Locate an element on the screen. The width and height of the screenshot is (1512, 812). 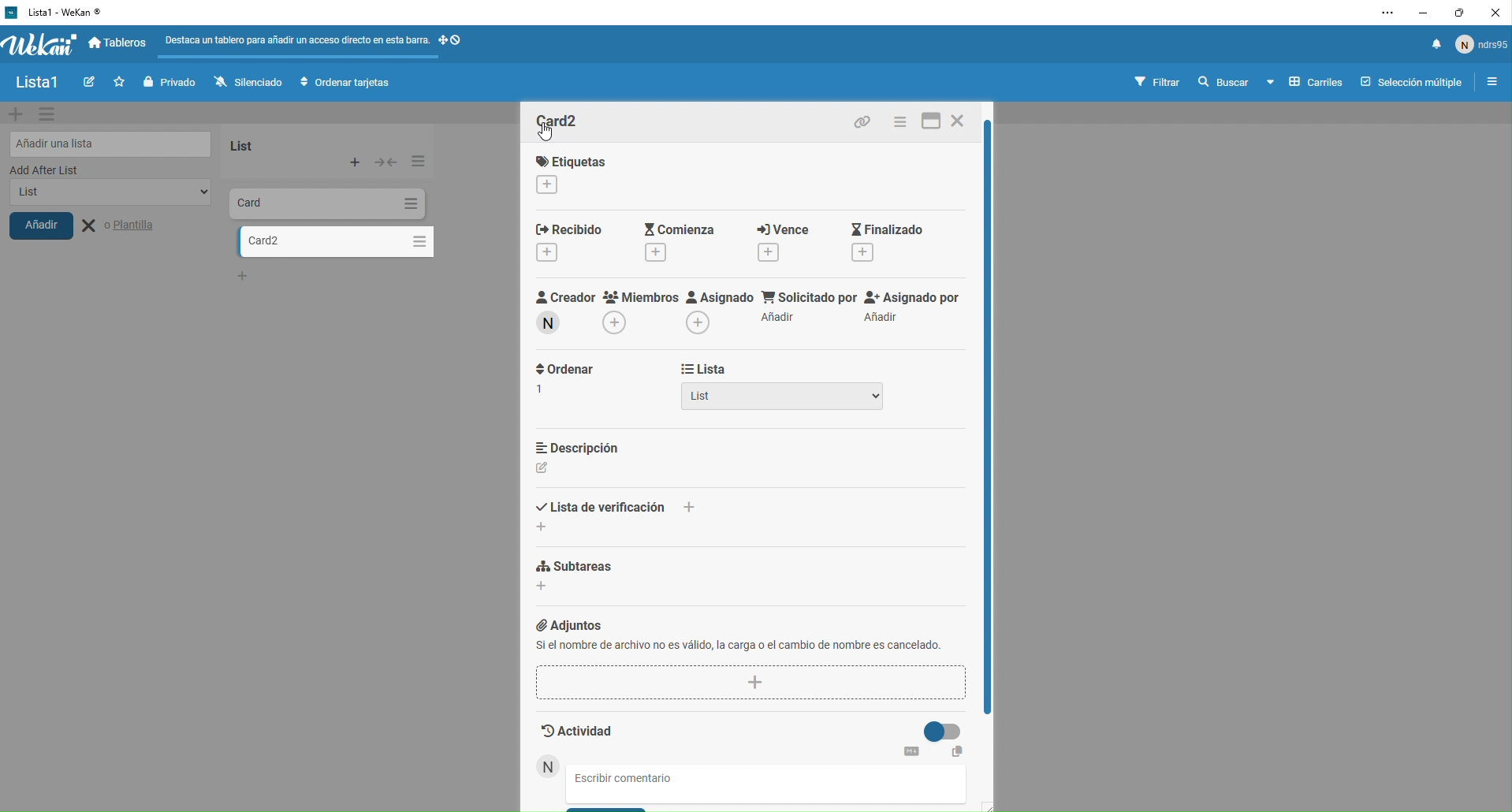
minimise is located at coordinates (1421, 12).